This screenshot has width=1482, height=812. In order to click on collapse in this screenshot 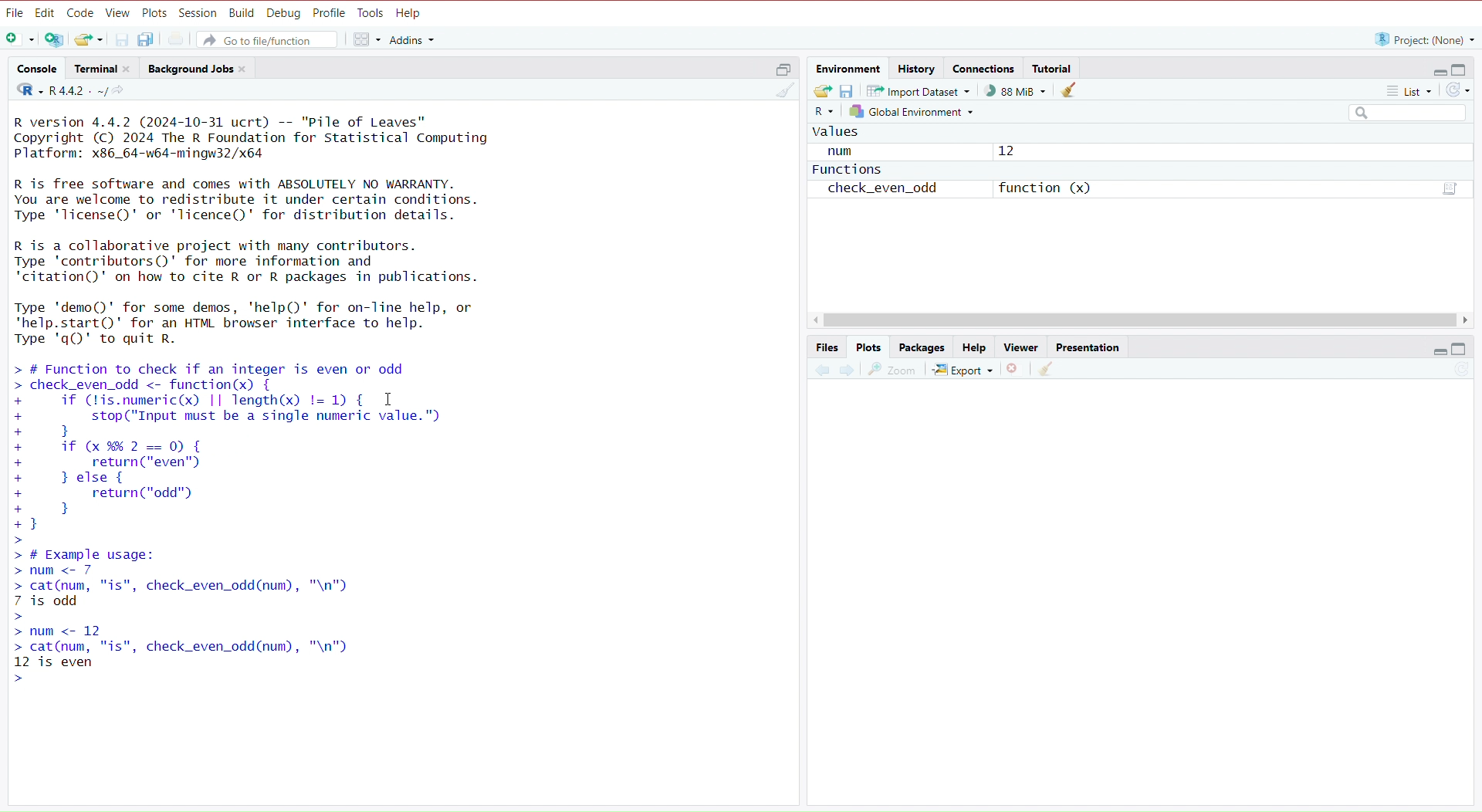, I will do `click(1461, 349)`.